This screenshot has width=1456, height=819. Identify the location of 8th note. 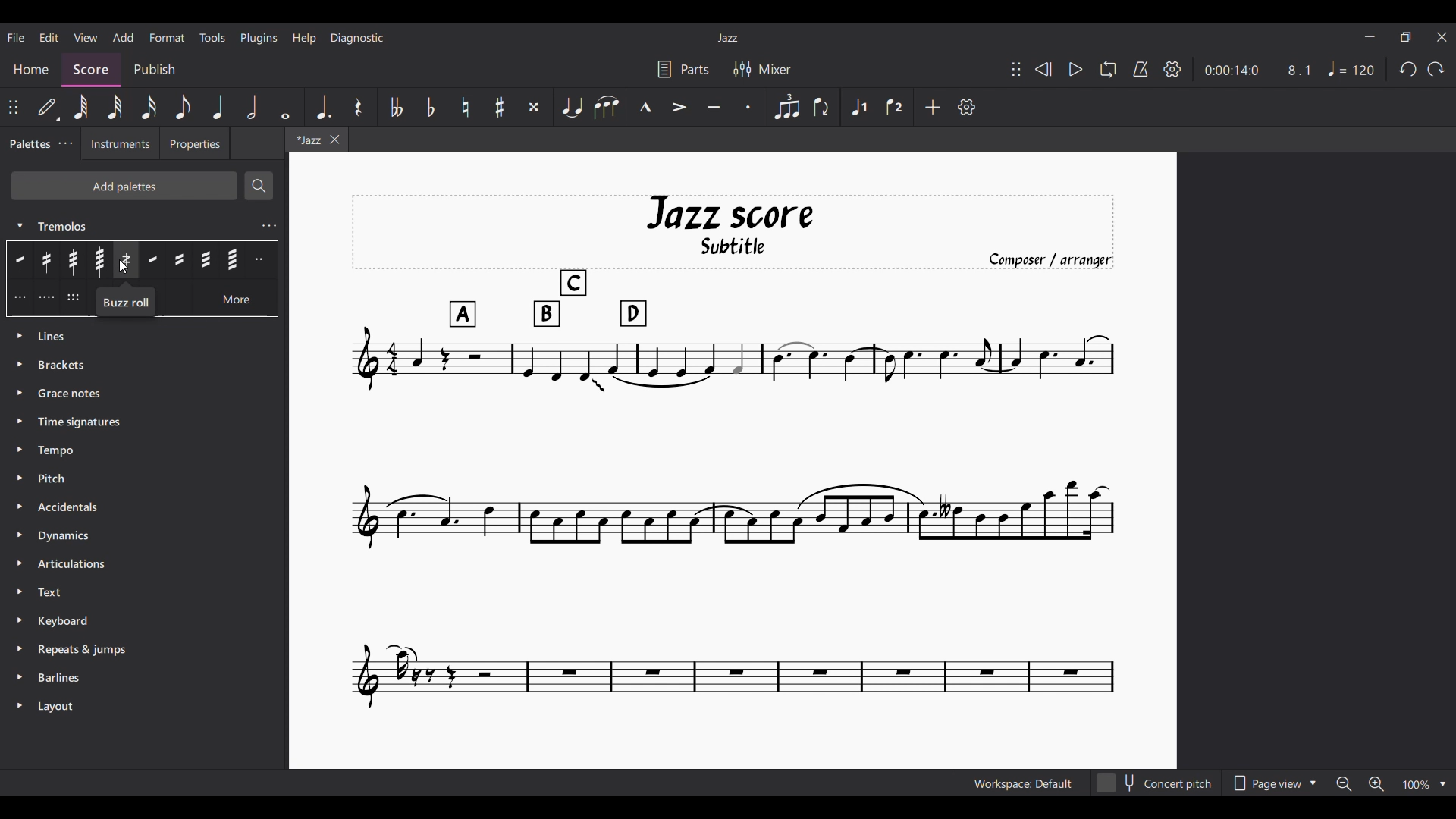
(183, 106).